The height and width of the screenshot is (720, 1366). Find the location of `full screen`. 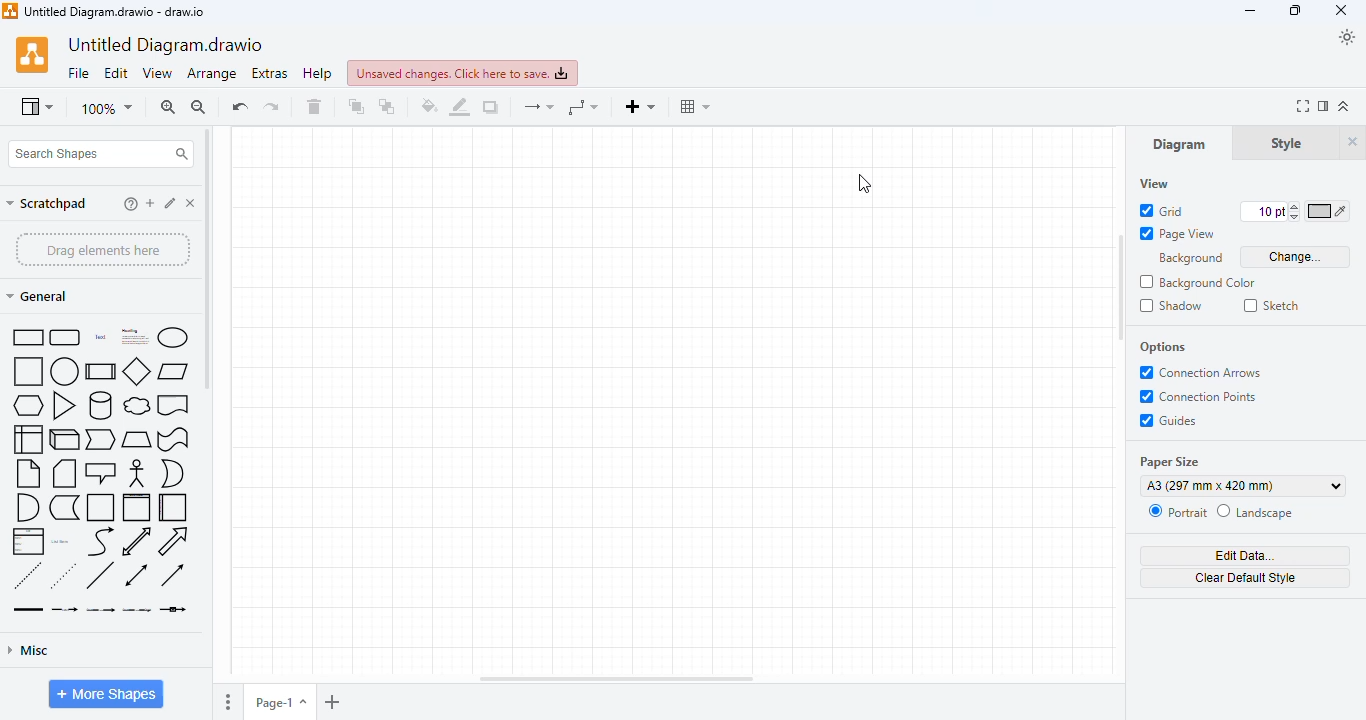

full screen is located at coordinates (1303, 106).